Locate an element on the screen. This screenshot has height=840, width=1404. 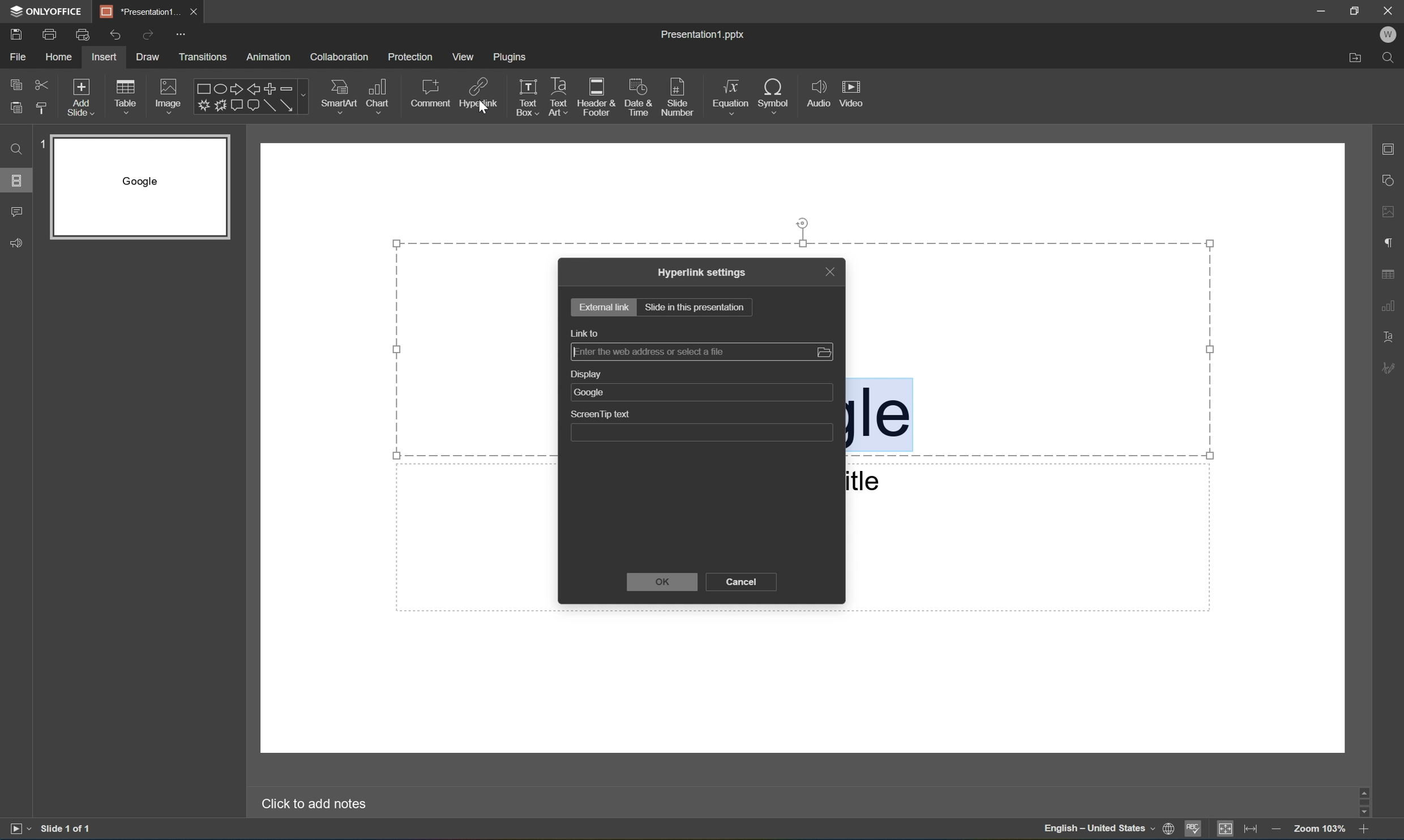
Slides is located at coordinates (16, 179).